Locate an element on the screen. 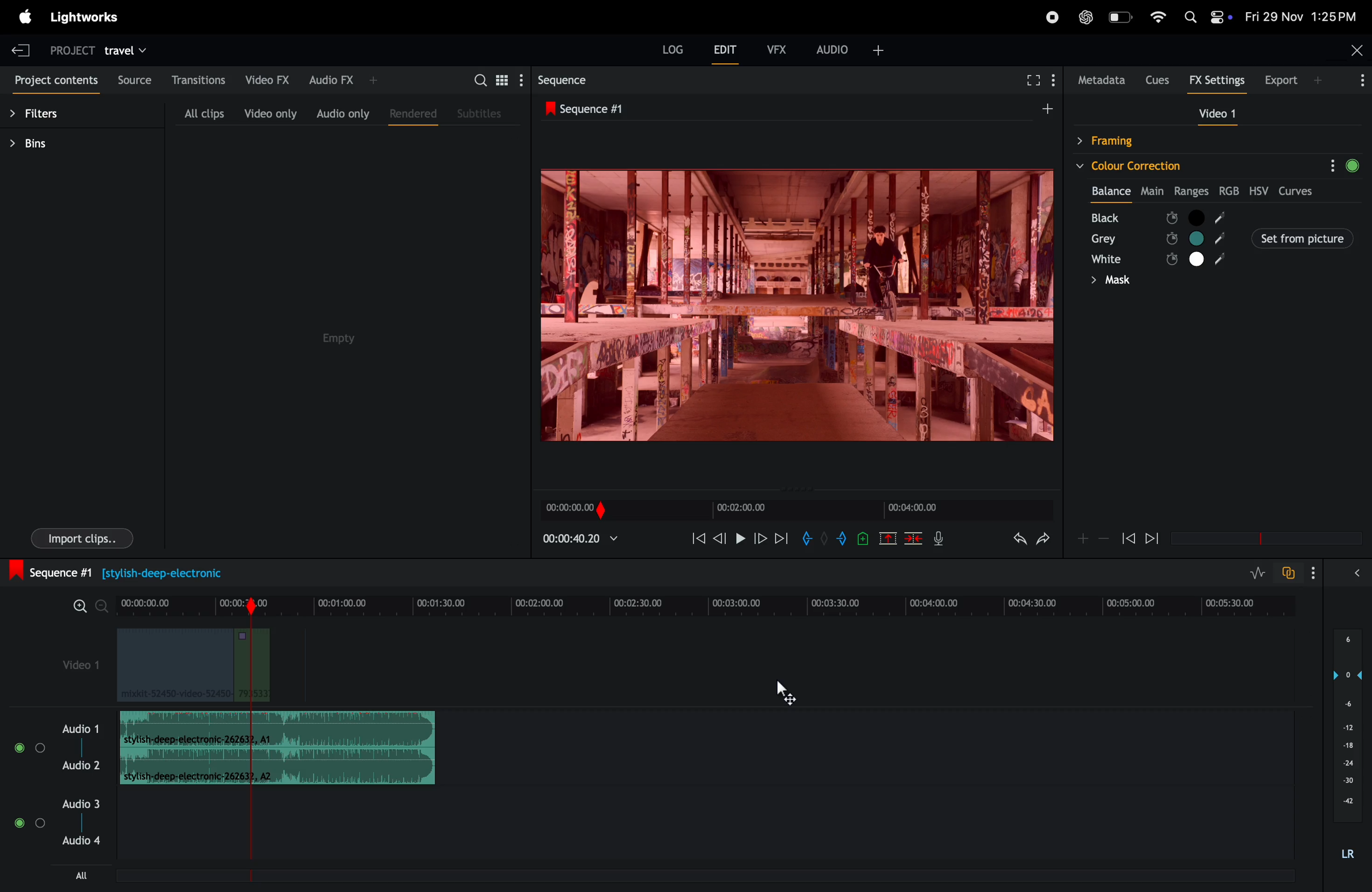 The height and width of the screenshot is (892, 1372). show settings menu is located at coordinates (1311, 571).